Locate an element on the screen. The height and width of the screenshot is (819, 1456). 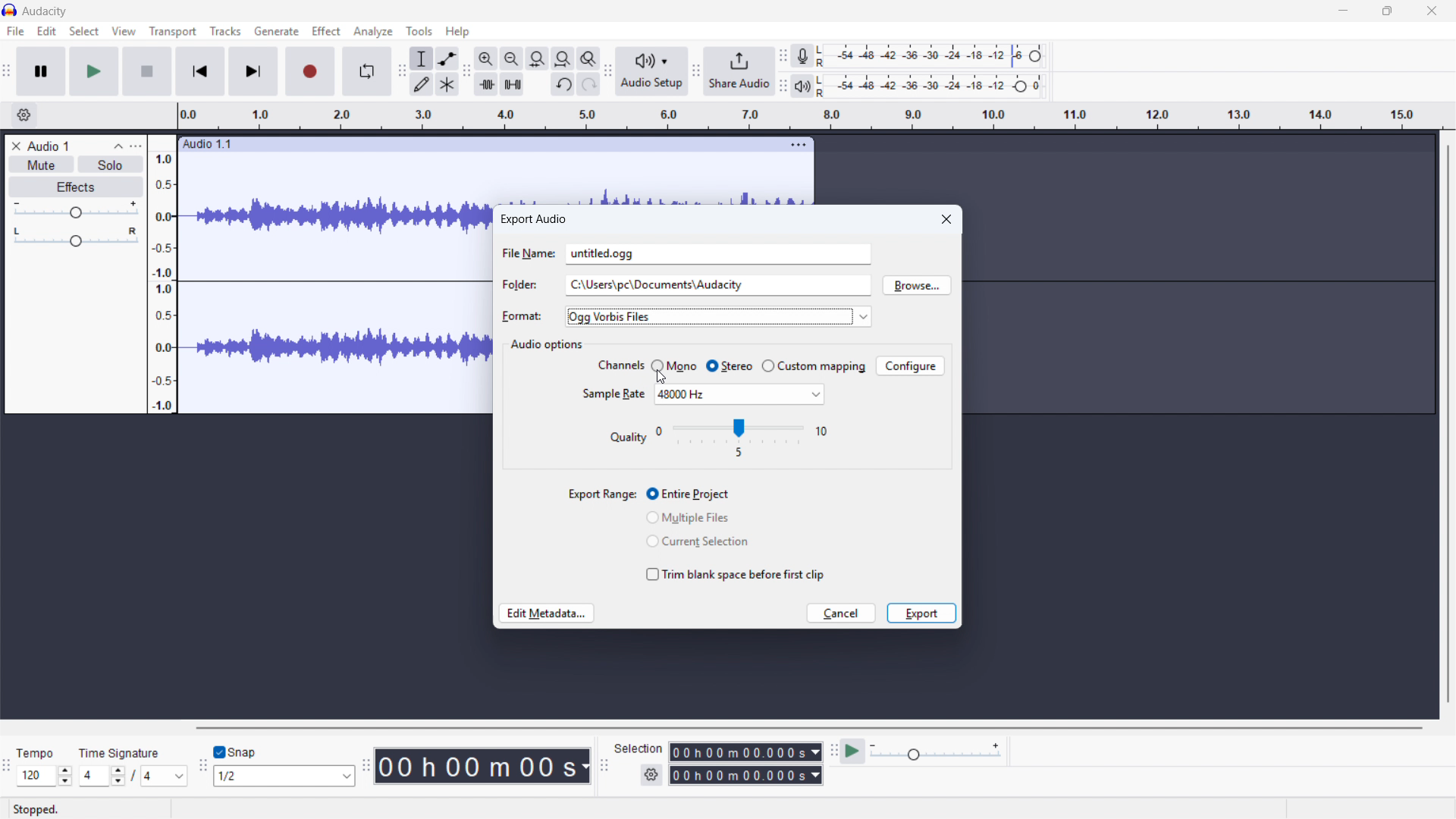
playback level  is located at coordinates (935, 86).